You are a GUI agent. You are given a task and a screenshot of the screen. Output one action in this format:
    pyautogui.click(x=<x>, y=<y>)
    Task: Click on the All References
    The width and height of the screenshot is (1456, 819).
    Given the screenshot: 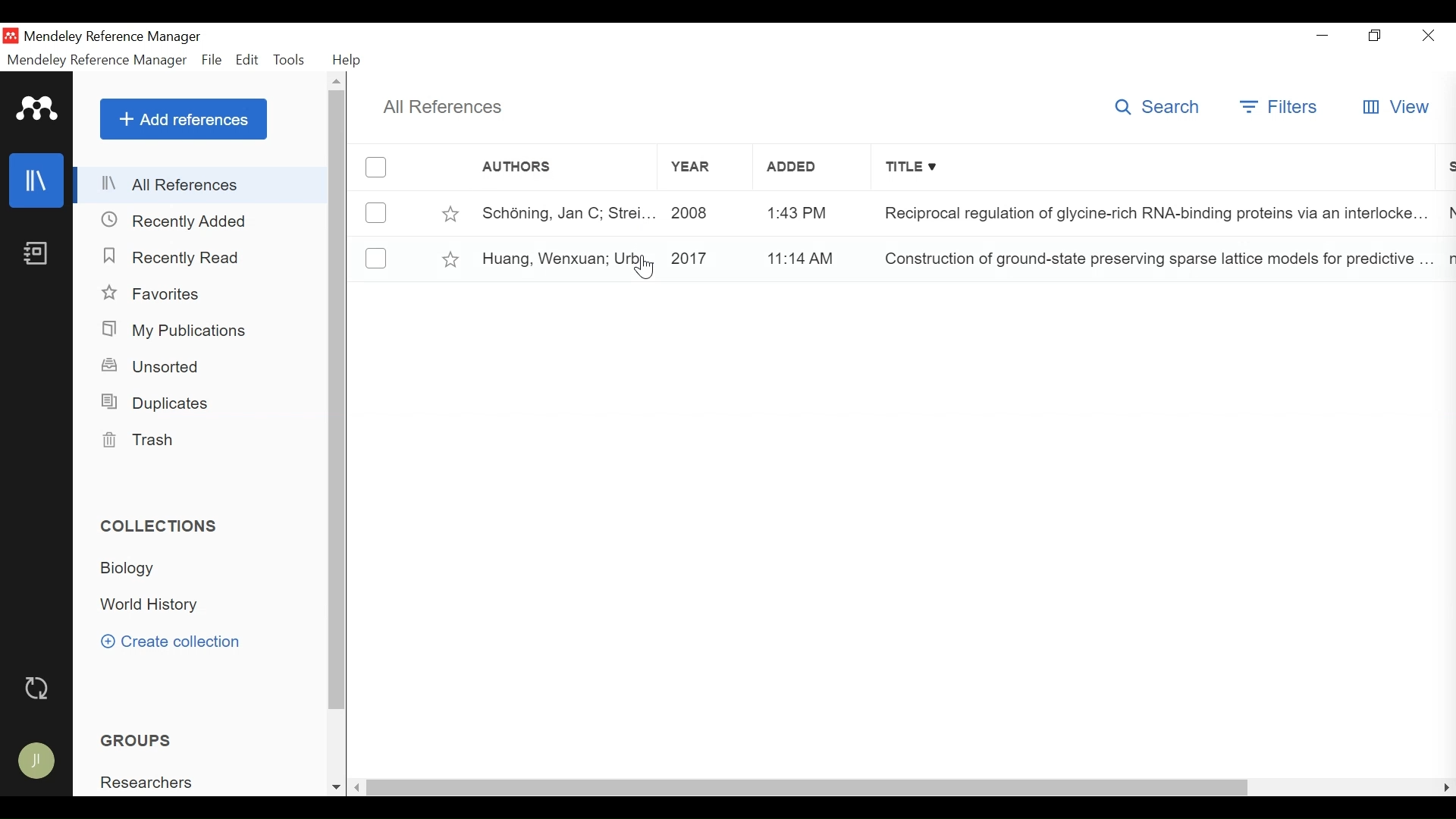 What is the action you would take?
    pyautogui.click(x=441, y=108)
    